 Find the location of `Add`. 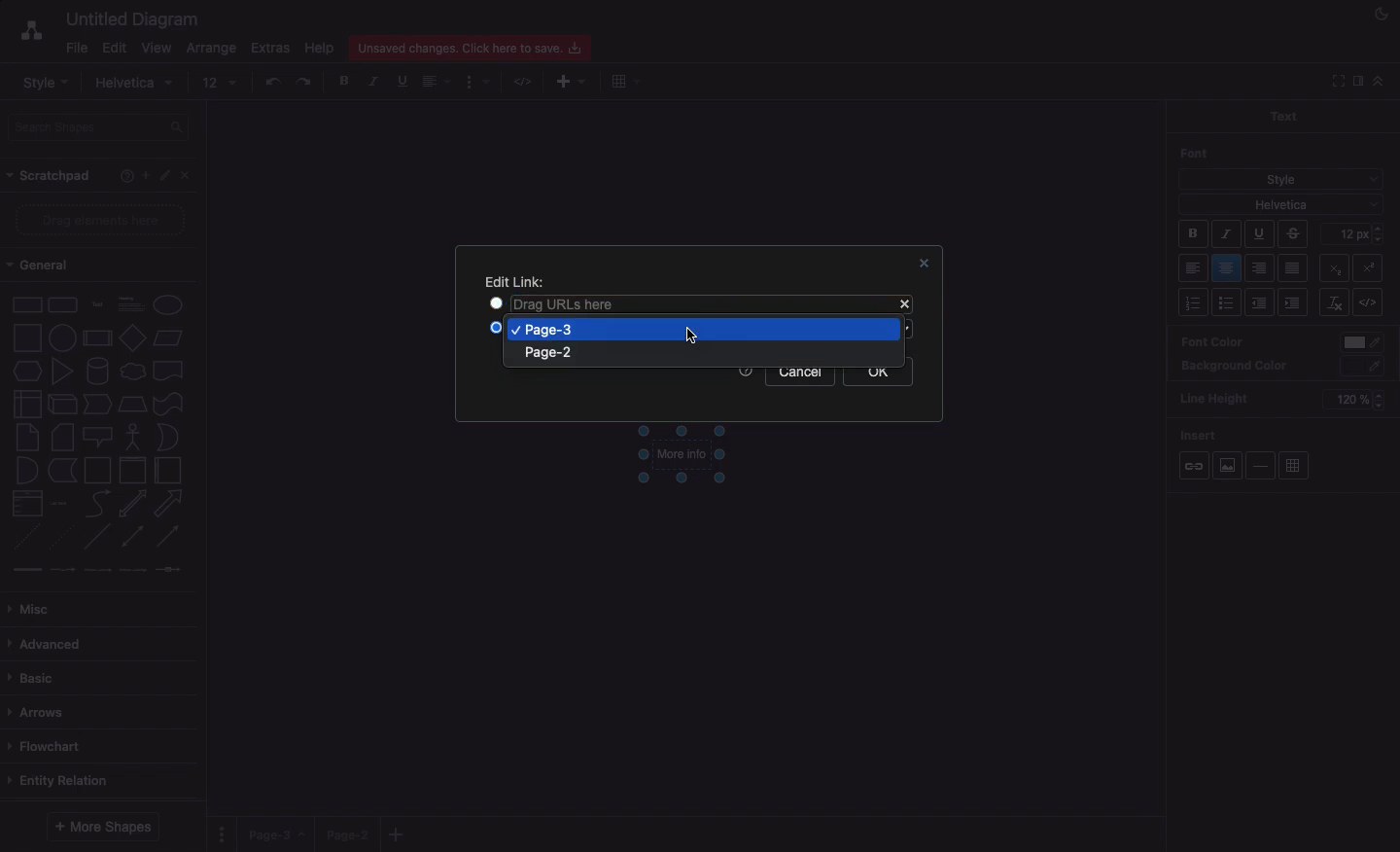

Add is located at coordinates (145, 174).